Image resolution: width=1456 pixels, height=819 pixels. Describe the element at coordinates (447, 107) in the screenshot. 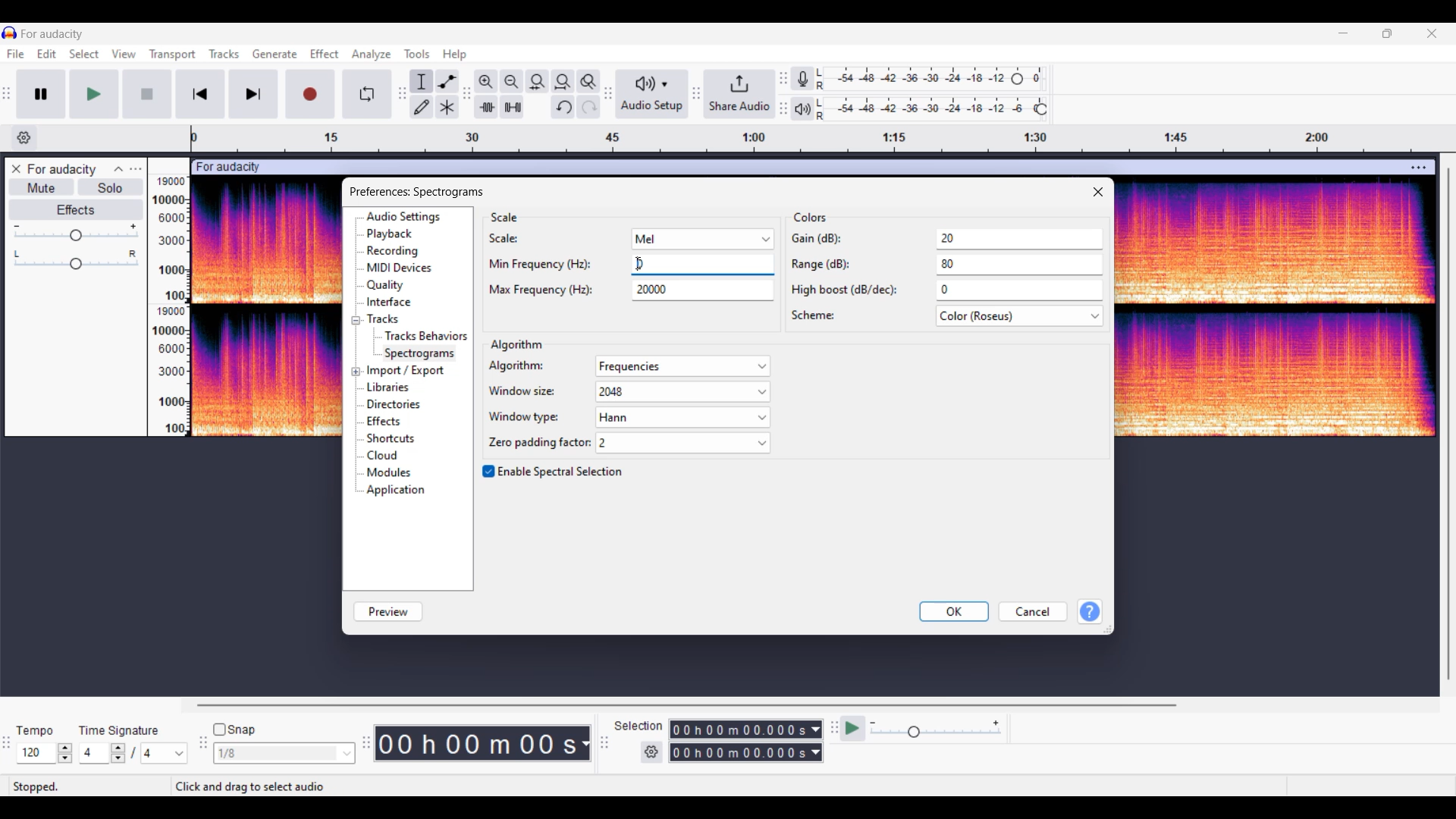

I see `Multi tool` at that location.